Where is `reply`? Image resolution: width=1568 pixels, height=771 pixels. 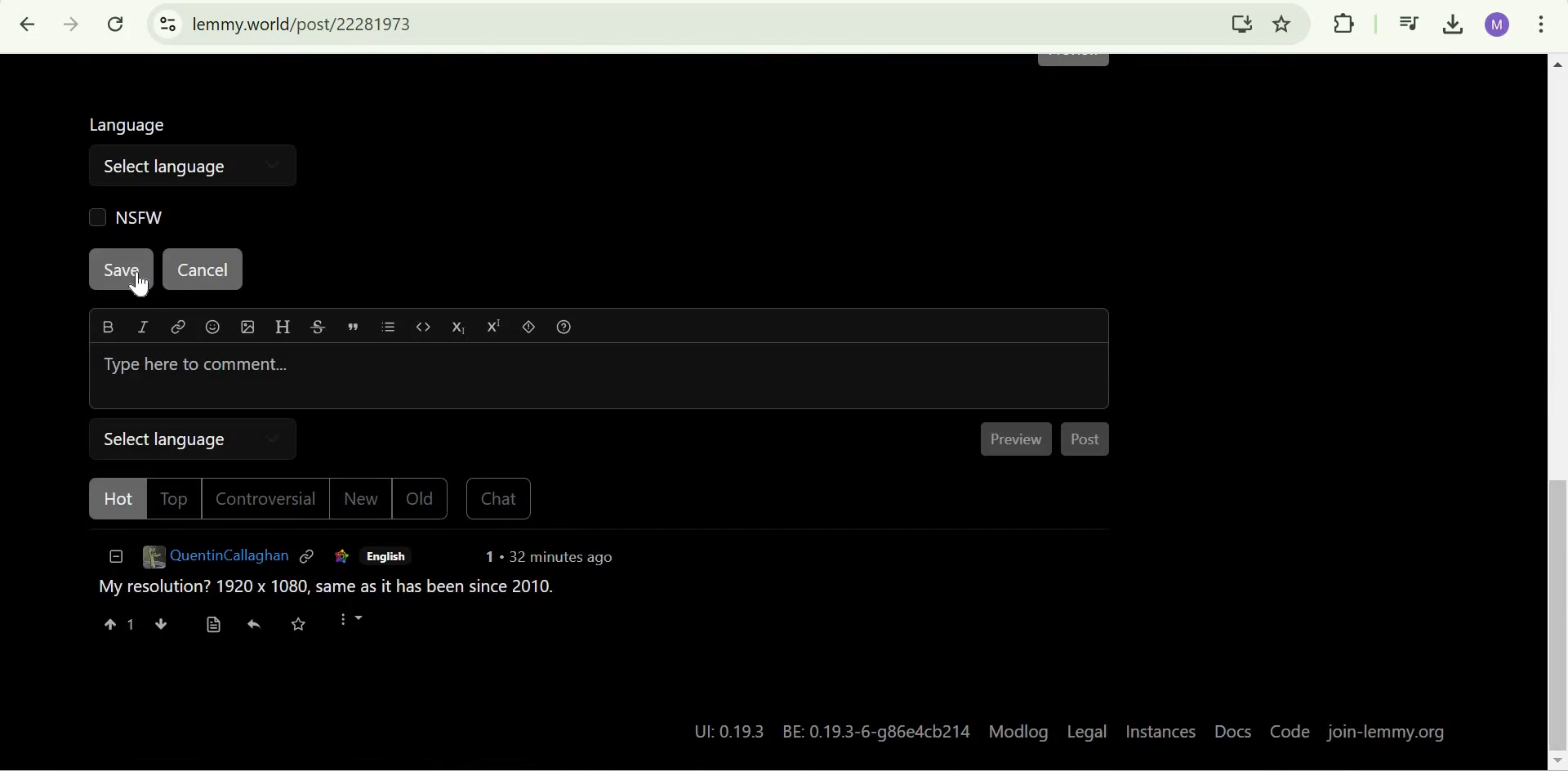
reply is located at coordinates (256, 627).